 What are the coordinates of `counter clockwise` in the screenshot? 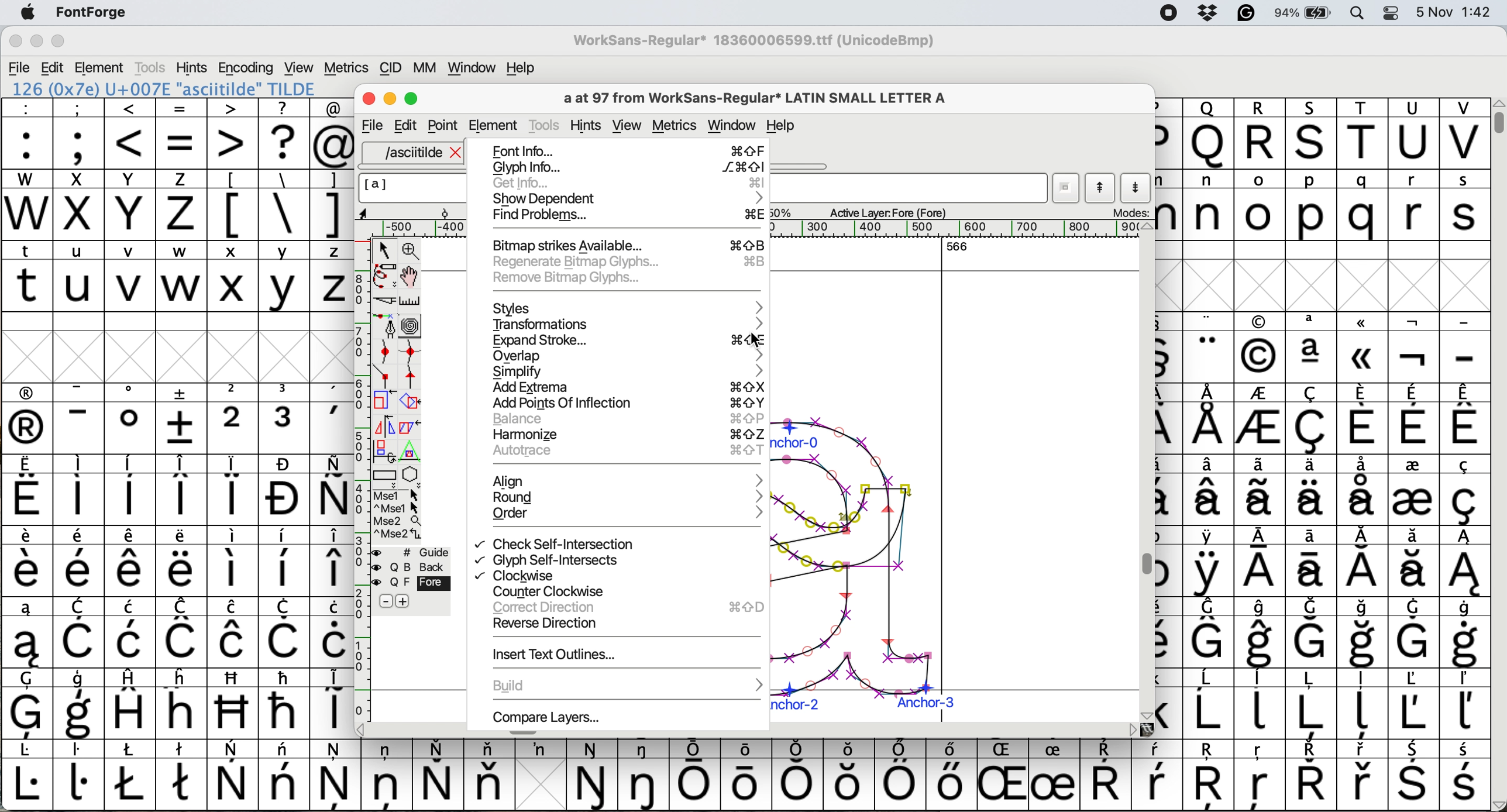 It's located at (614, 592).